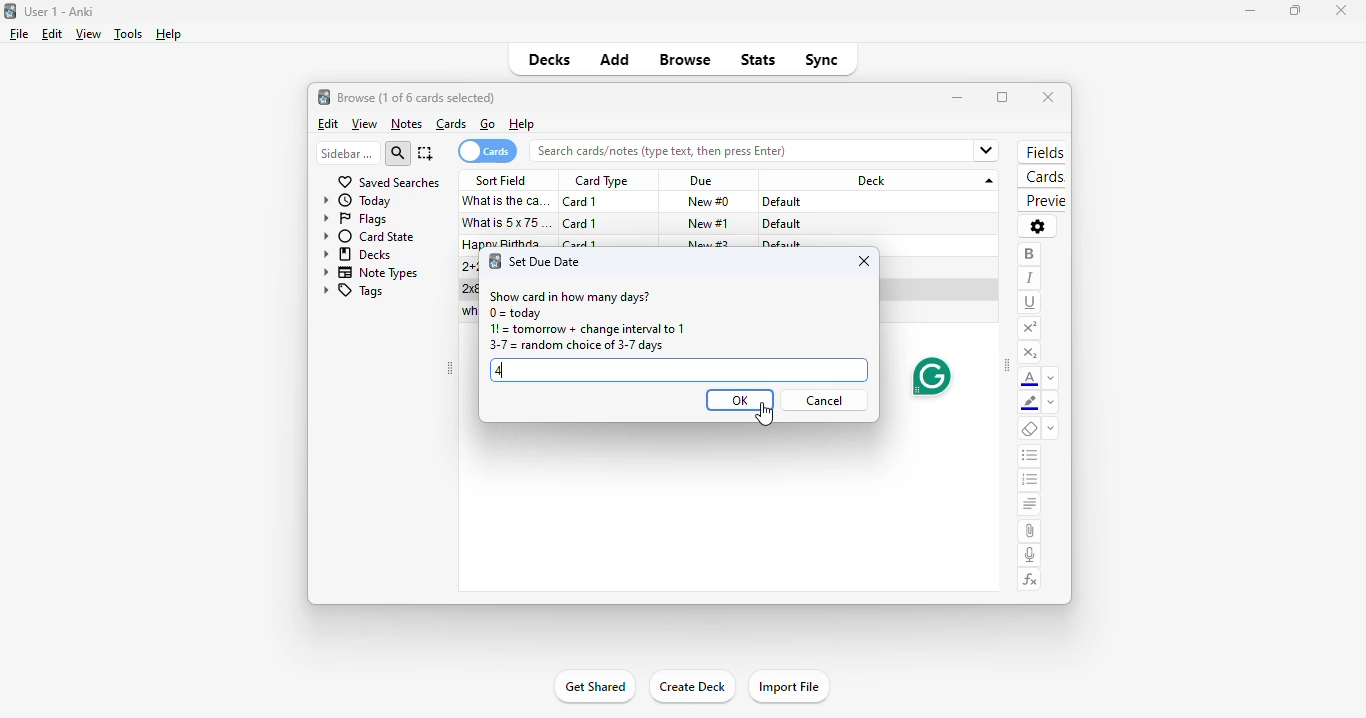  What do you see at coordinates (353, 292) in the screenshot?
I see `tags` at bounding box center [353, 292].